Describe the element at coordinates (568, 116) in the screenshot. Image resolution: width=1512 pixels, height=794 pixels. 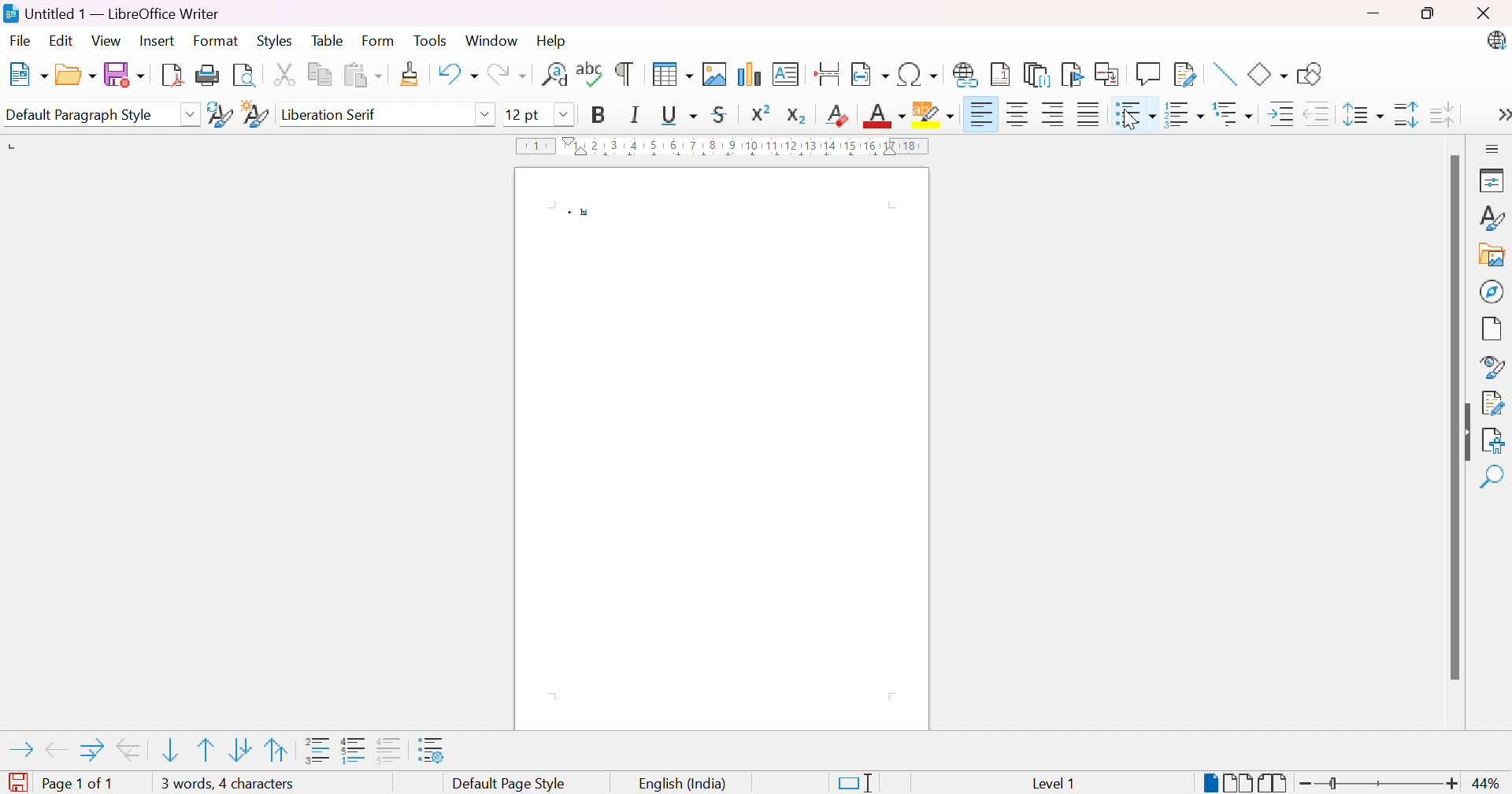
I see `Drop down` at that location.